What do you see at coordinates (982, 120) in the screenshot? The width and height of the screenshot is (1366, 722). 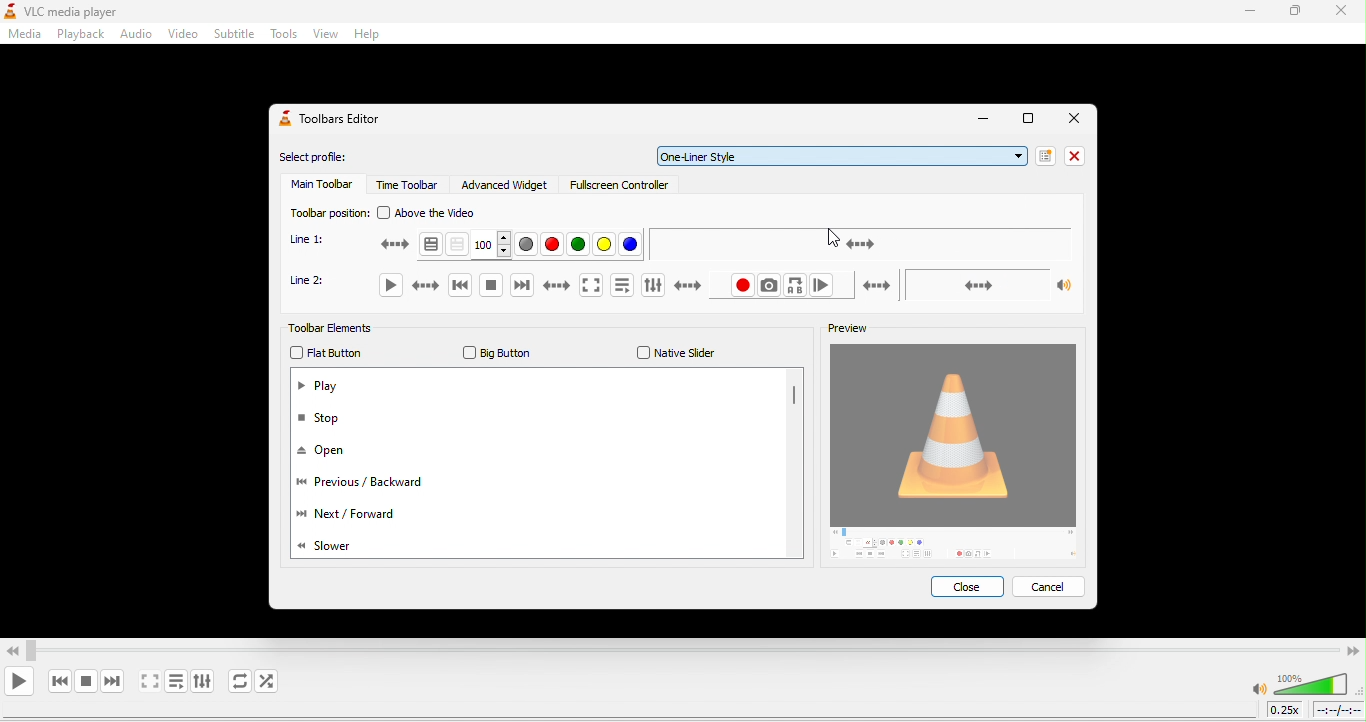 I see `minimize` at bounding box center [982, 120].